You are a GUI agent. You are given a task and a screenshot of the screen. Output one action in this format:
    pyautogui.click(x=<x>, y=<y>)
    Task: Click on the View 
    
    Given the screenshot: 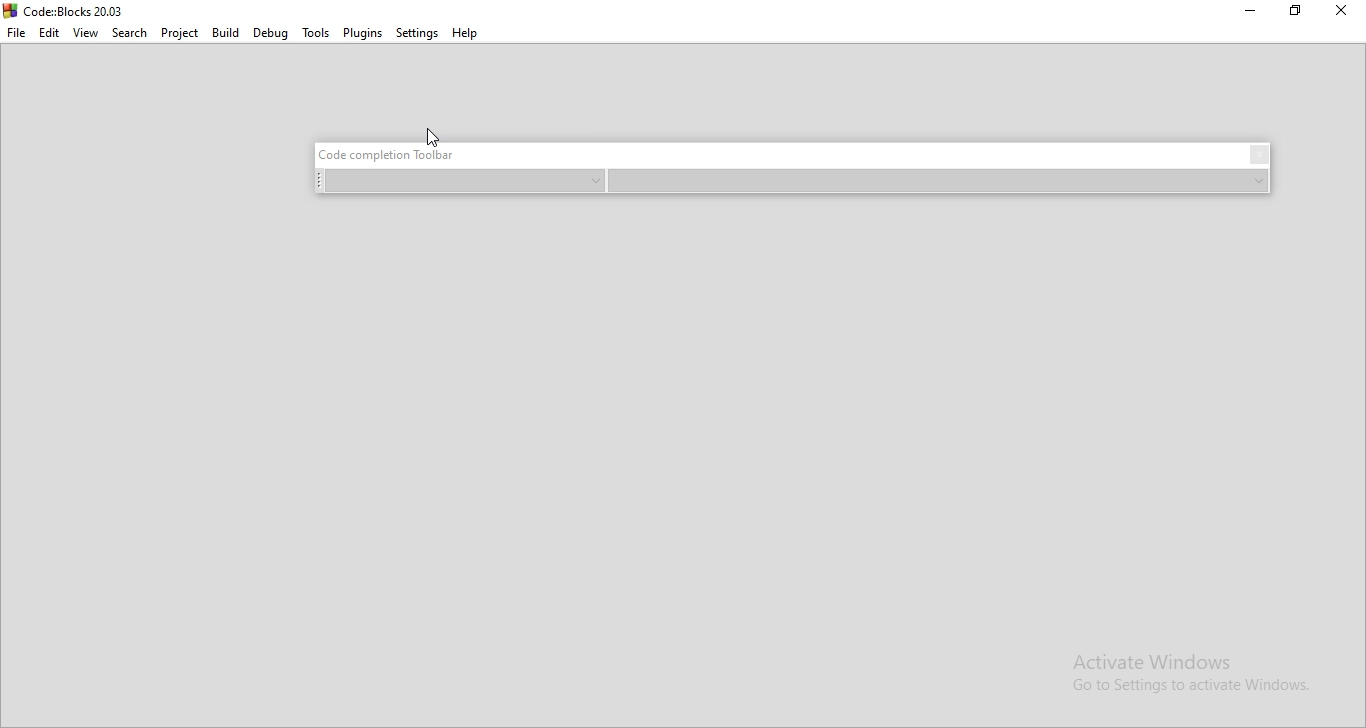 What is the action you would take?
    pyautogui.click(x=86, y=31)
    